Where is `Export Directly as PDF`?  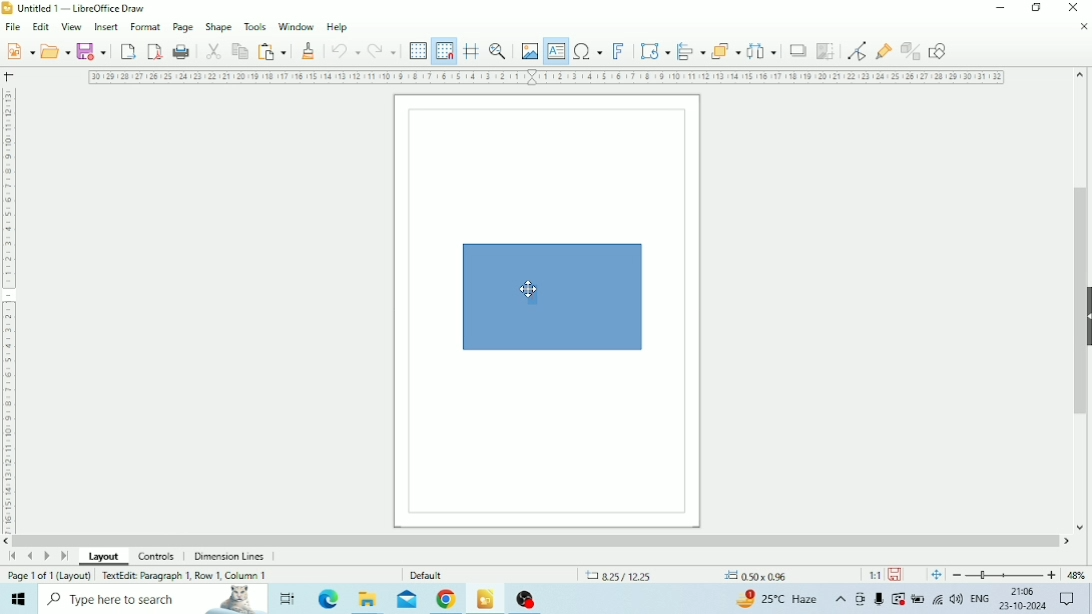 Export Directly as PDF is located at coordinates (155, 52).